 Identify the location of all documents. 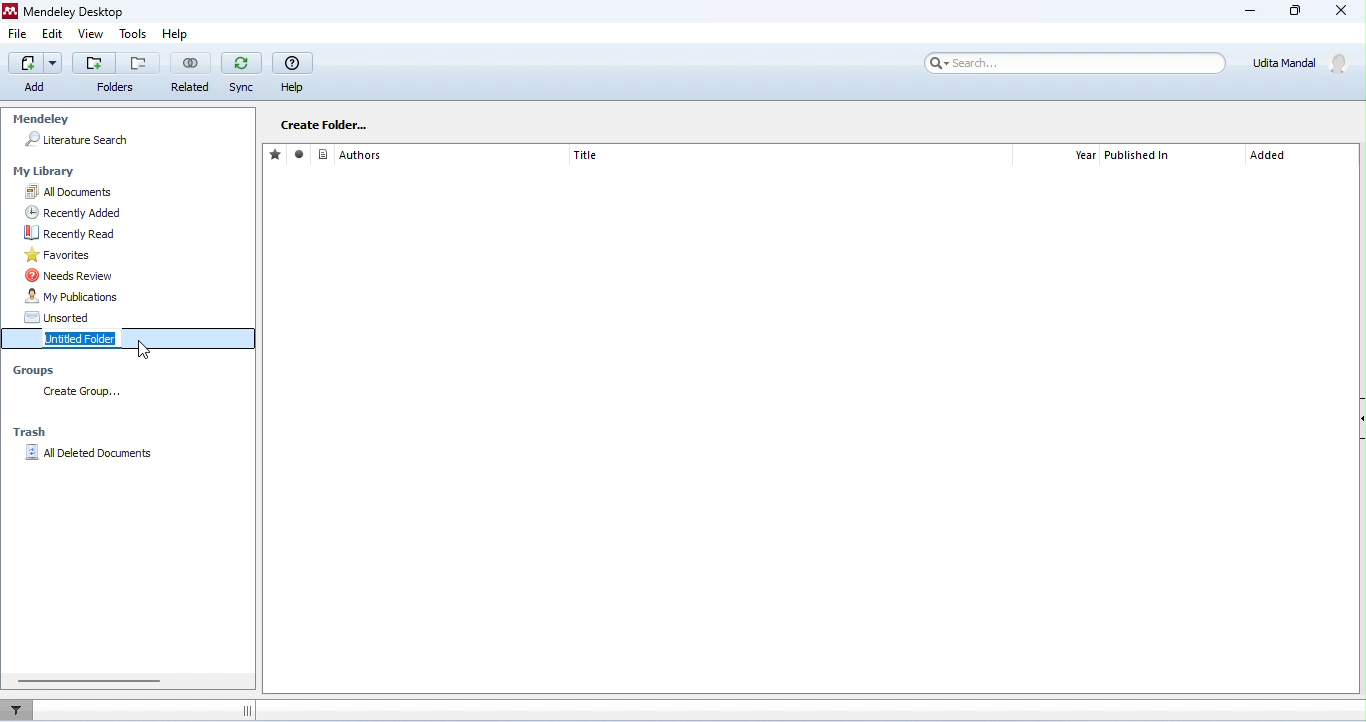
(136, 192).